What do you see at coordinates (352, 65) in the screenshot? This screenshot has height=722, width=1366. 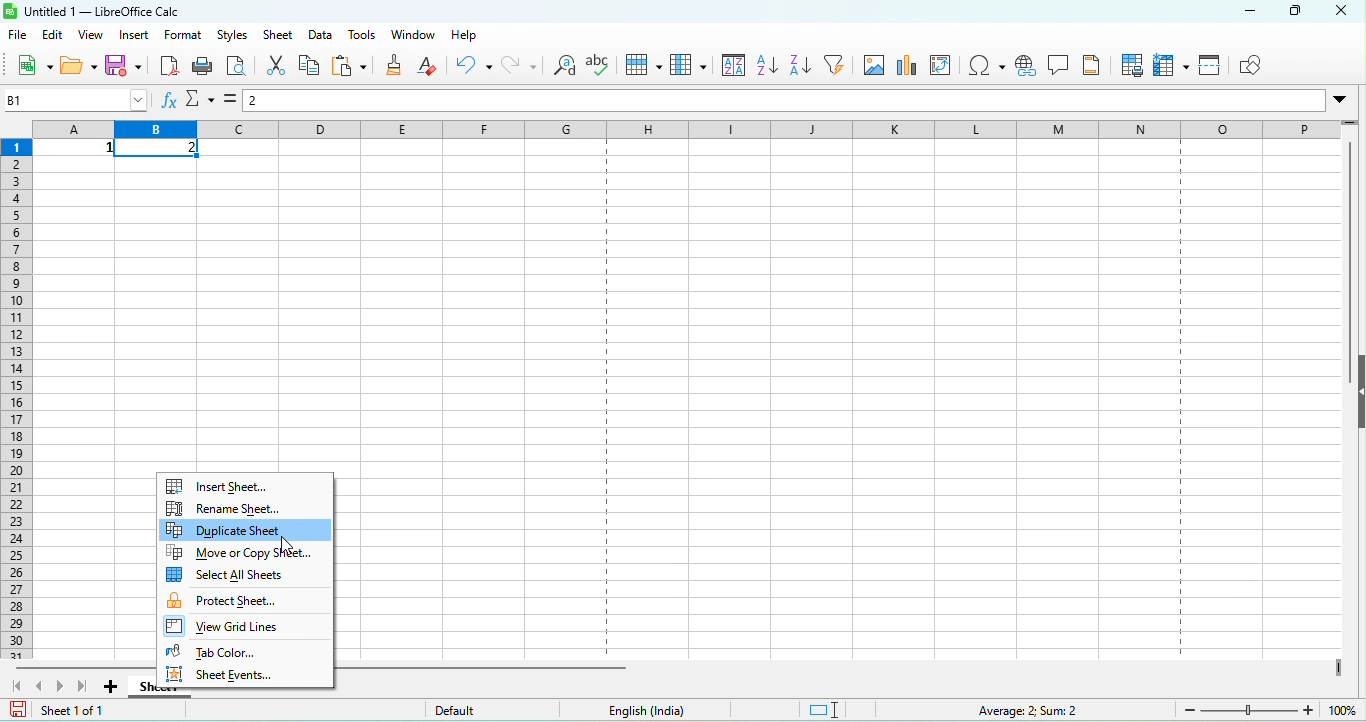 I see `paste` at bounding box center [352, 65].